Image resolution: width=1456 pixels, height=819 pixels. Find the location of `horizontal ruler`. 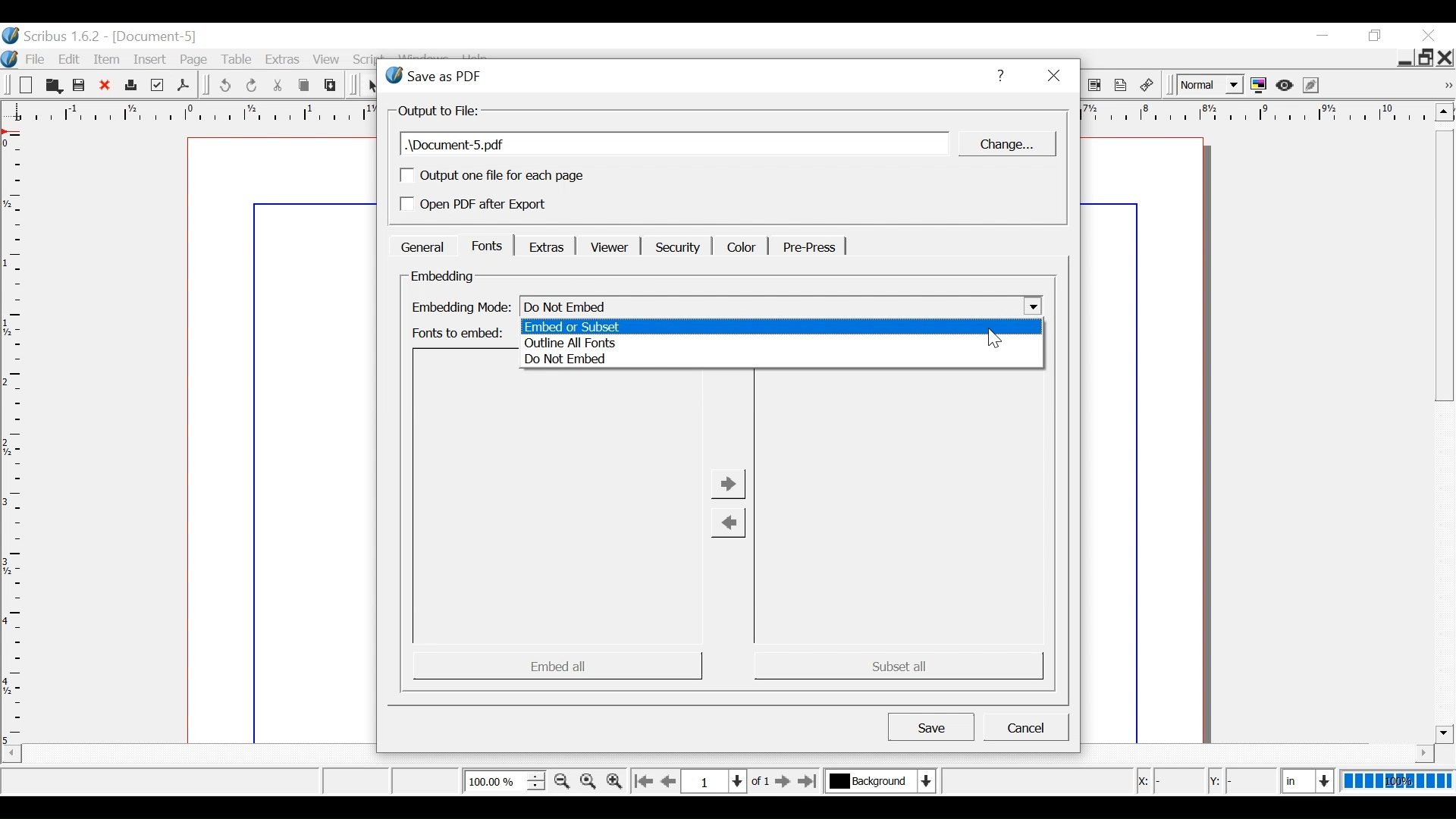

horizontal ruler is located at coordinates (1257, 114).